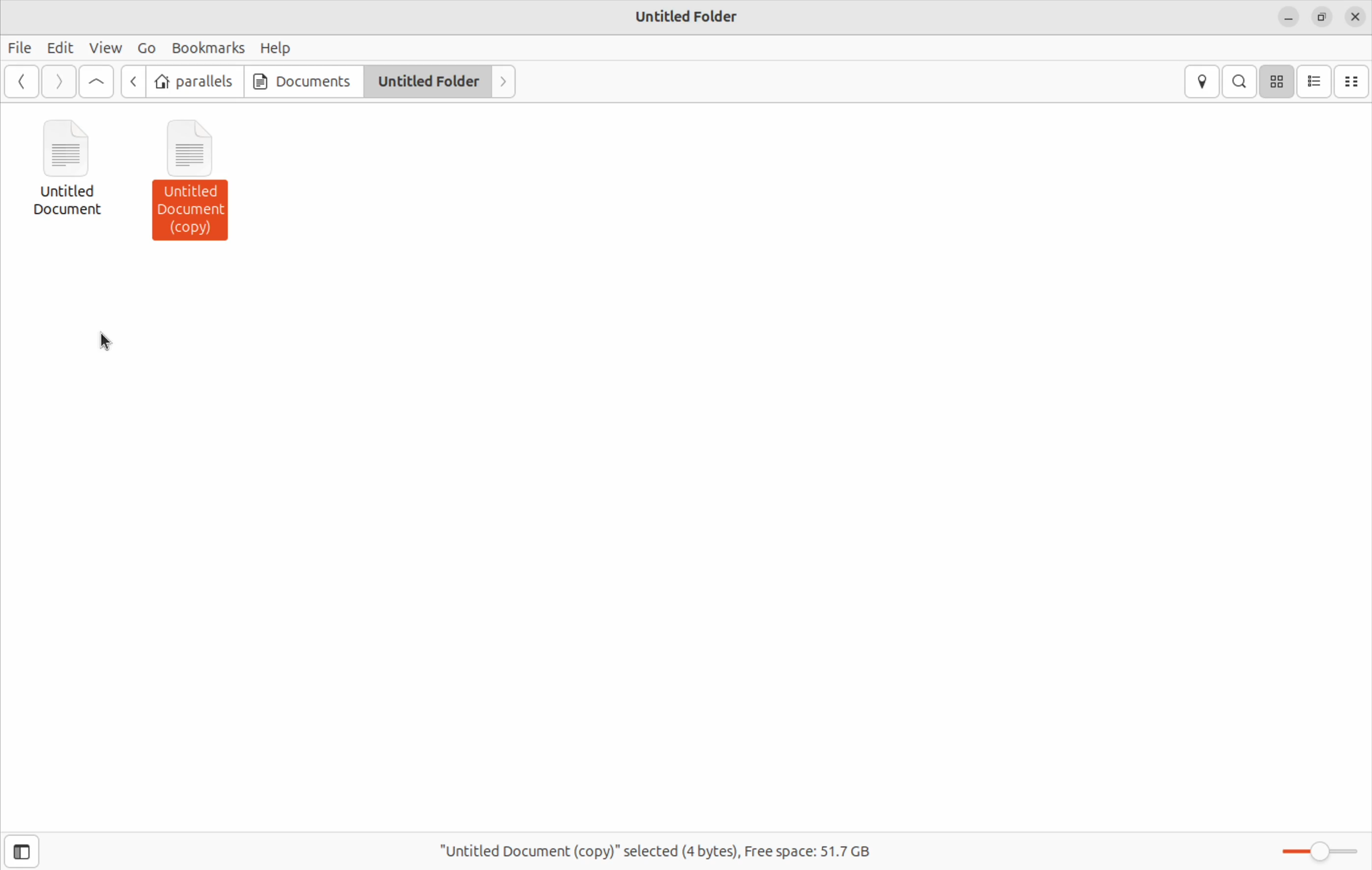 This screenshot has height=870, width=1372. Describe the element at coordinates (1279, 81) in the screenshot. I see `icon view` at that location.